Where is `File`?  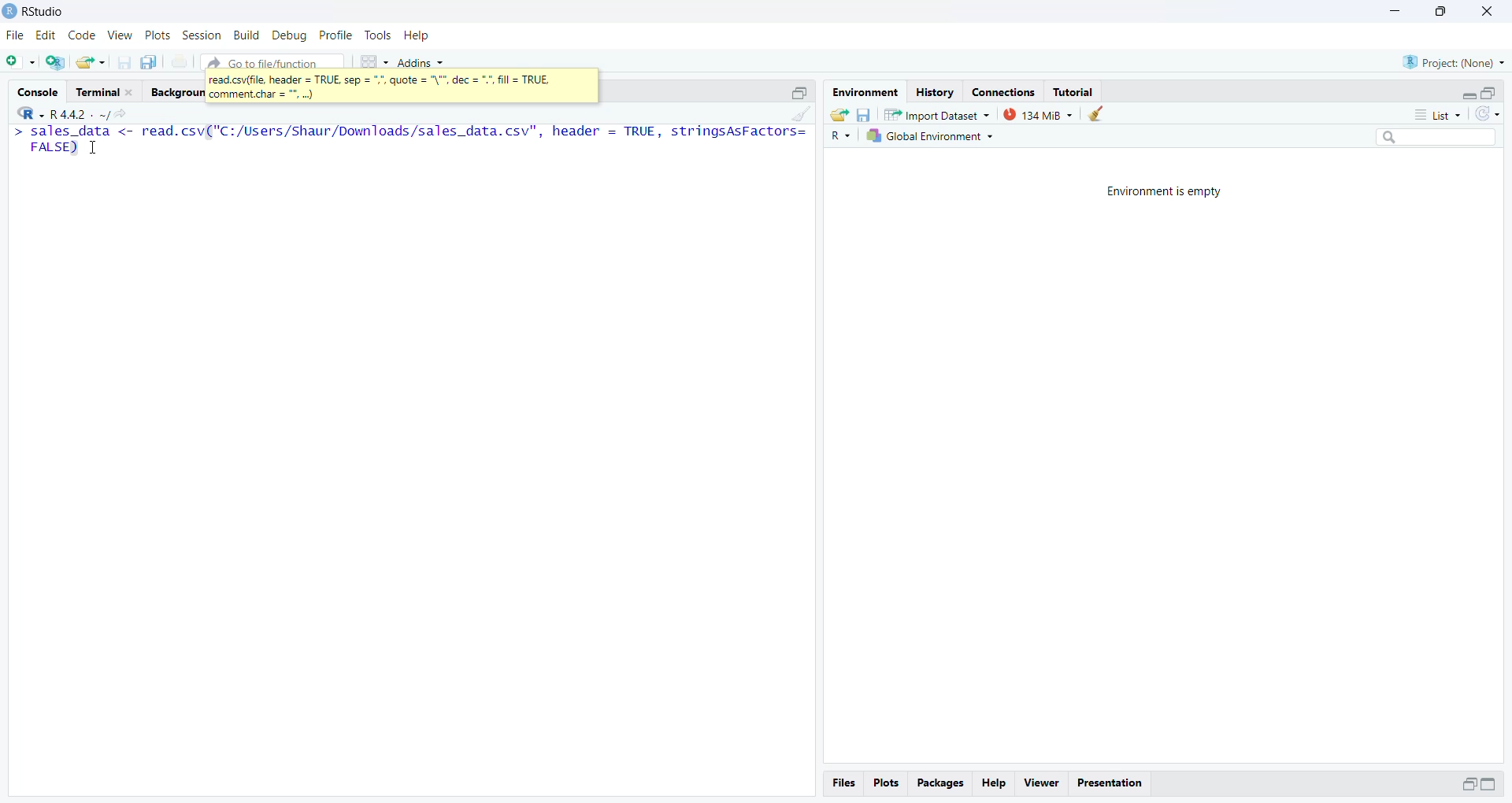
File is located at coordinates (15, 37).